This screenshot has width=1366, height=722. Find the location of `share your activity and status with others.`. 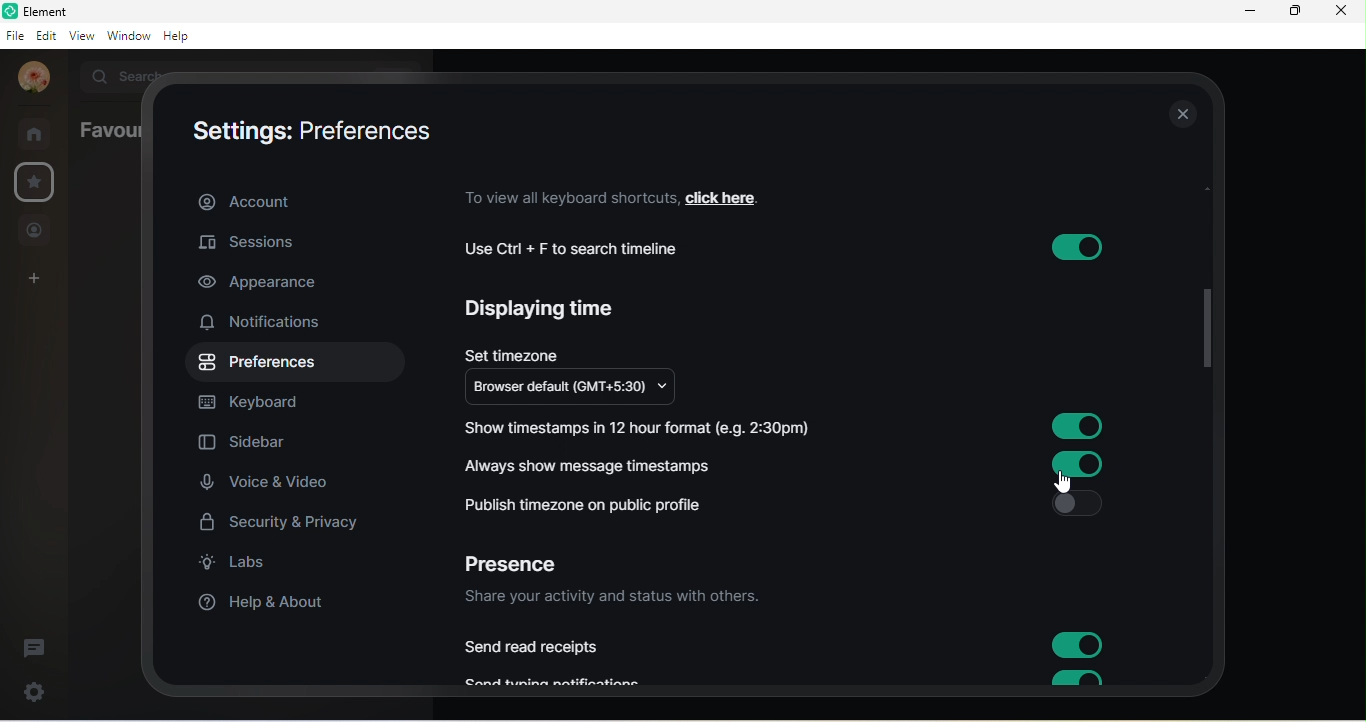

share your activity and status with others. is located at coordinates (619, 598).